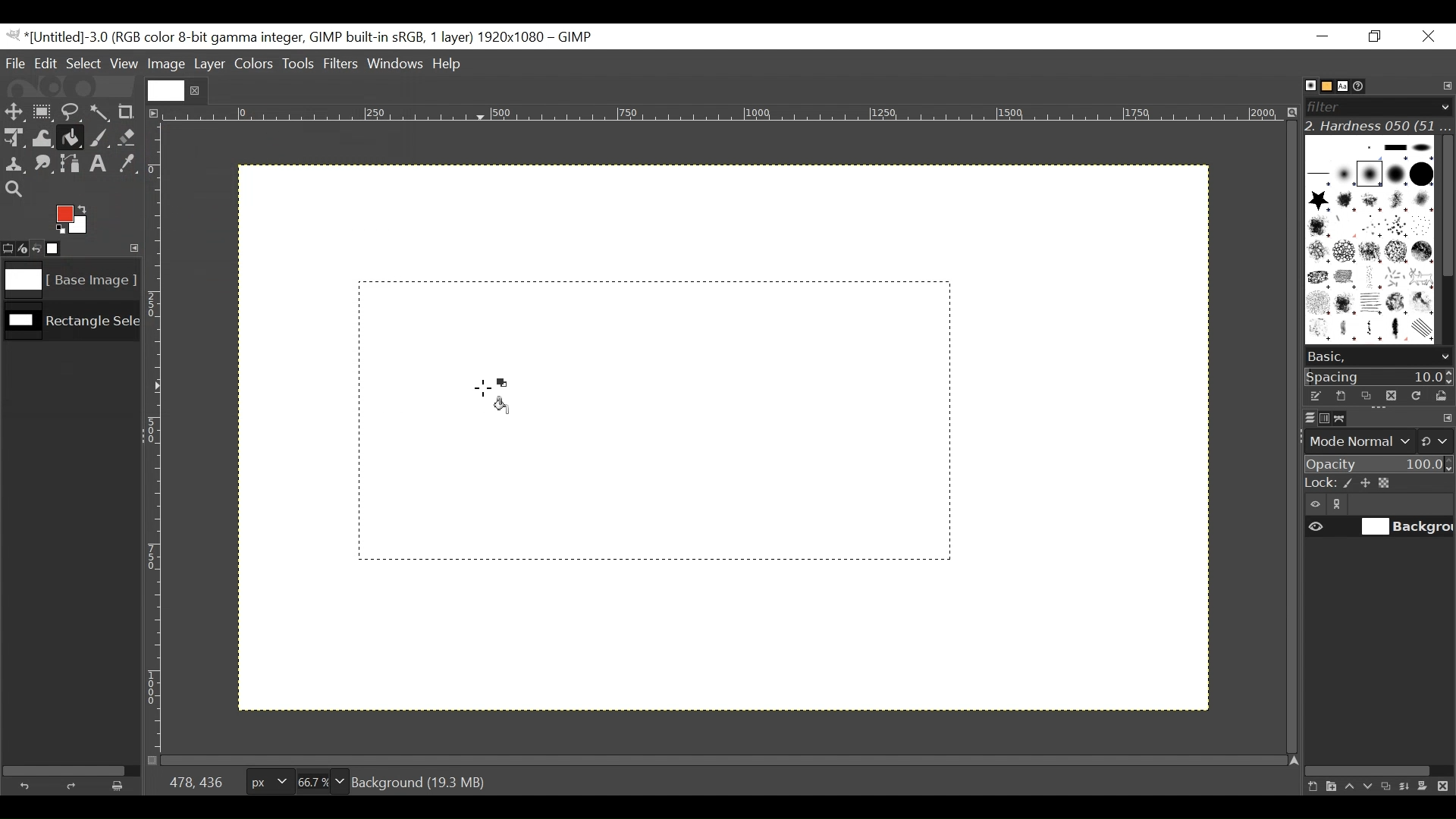  What do you see at coordinates (133, 111) in the screenshot?
I see `Crop tool` at bounding box center [133, 111].